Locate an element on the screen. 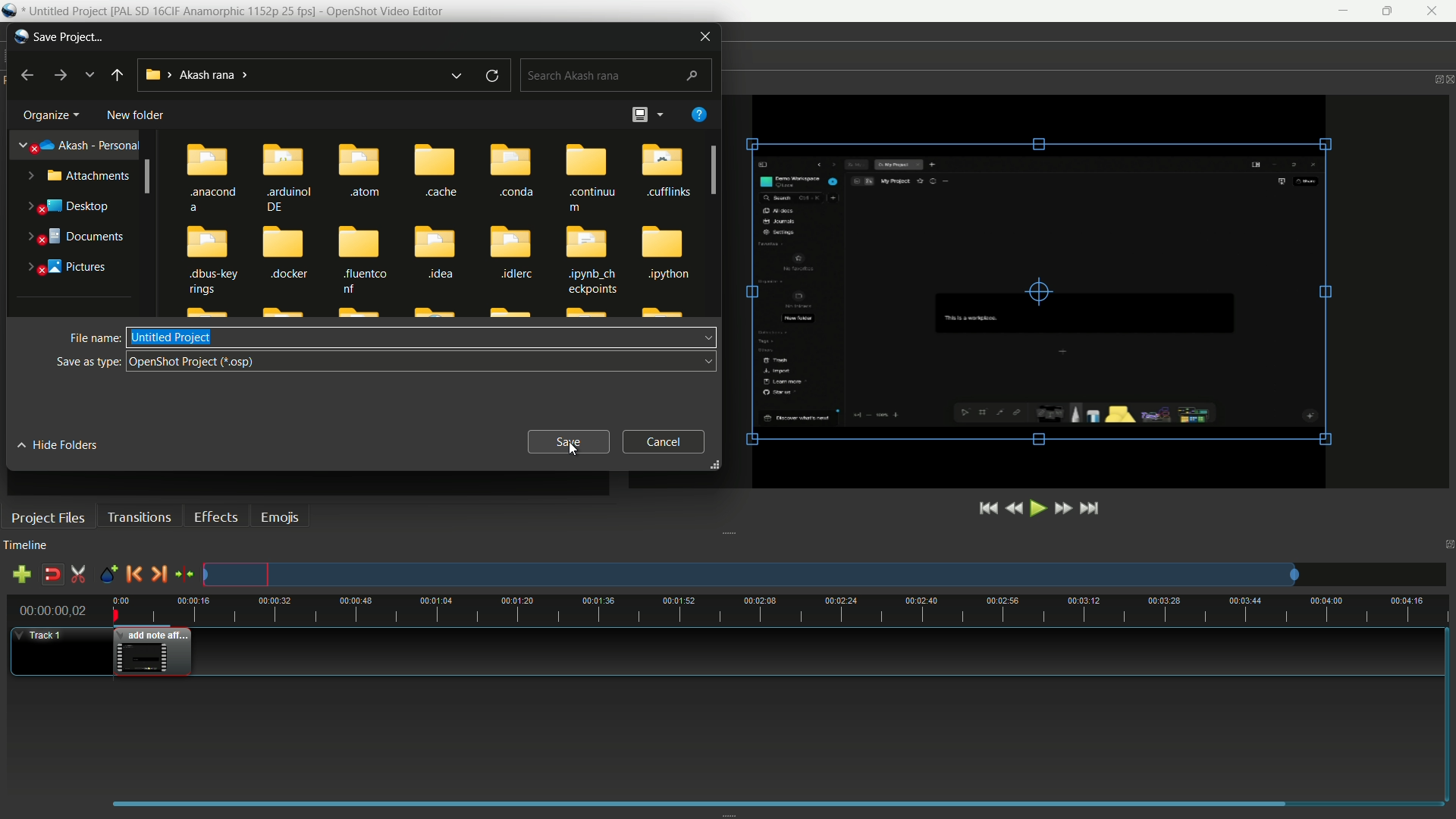 This screenshot has height=819, width=1456. cufflinks is located at coordinates (665, 176).